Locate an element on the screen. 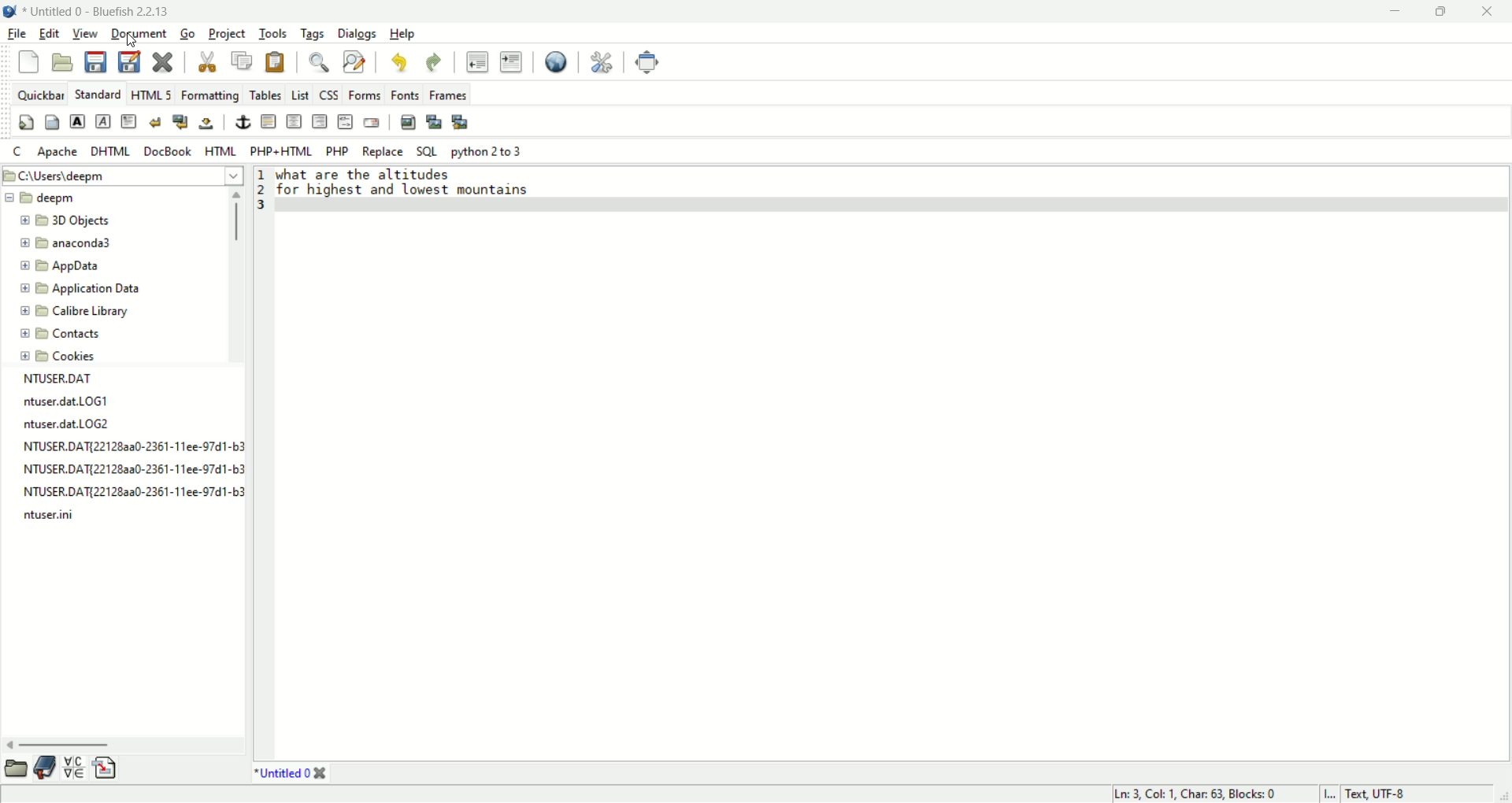  frames is located at coordinates (450, 94).